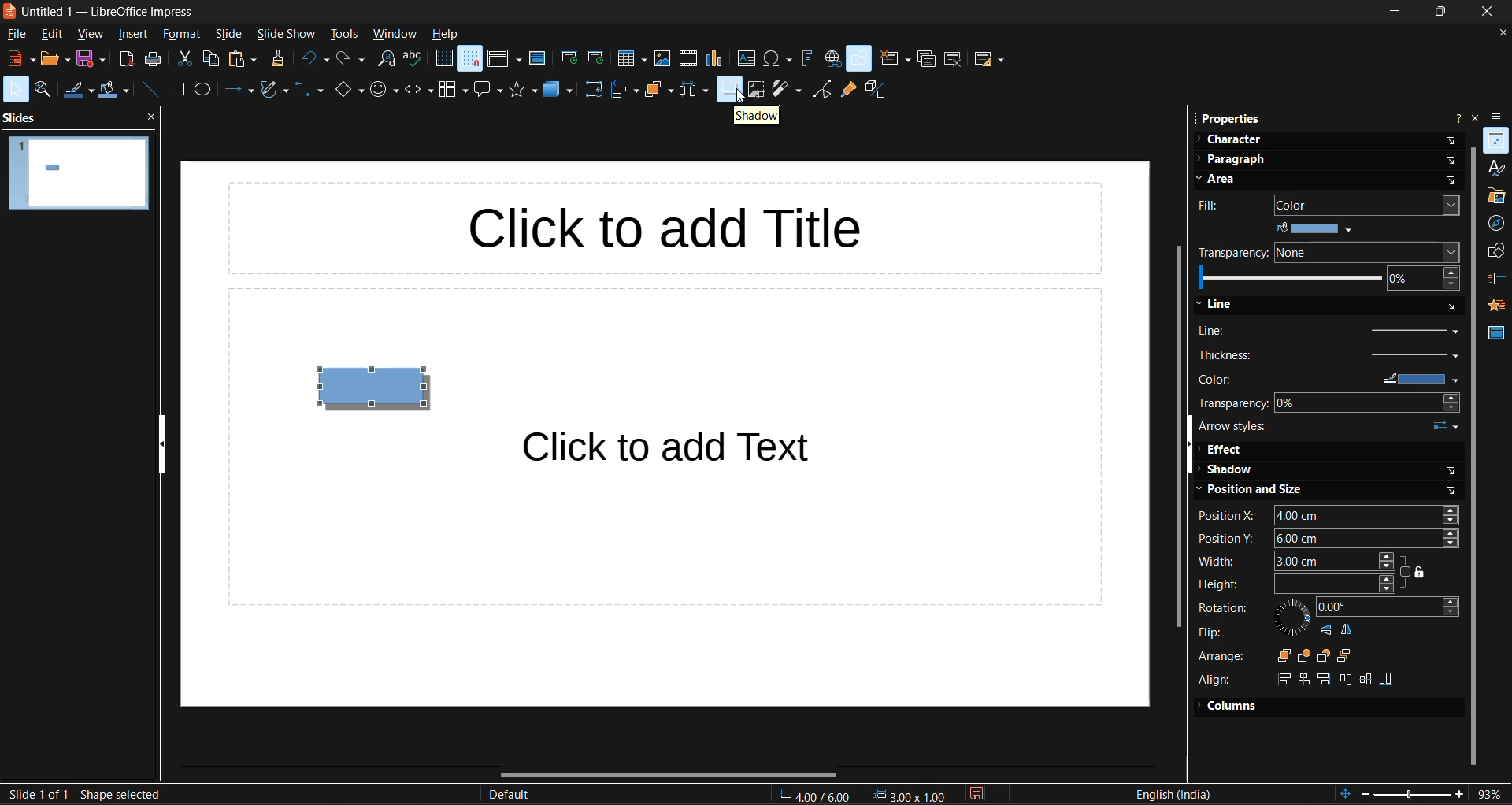 This screenshot has width=1512, height=805. Describe the element at coordinates (417, 91) in the screenshot. I see `block arrows` at that location.